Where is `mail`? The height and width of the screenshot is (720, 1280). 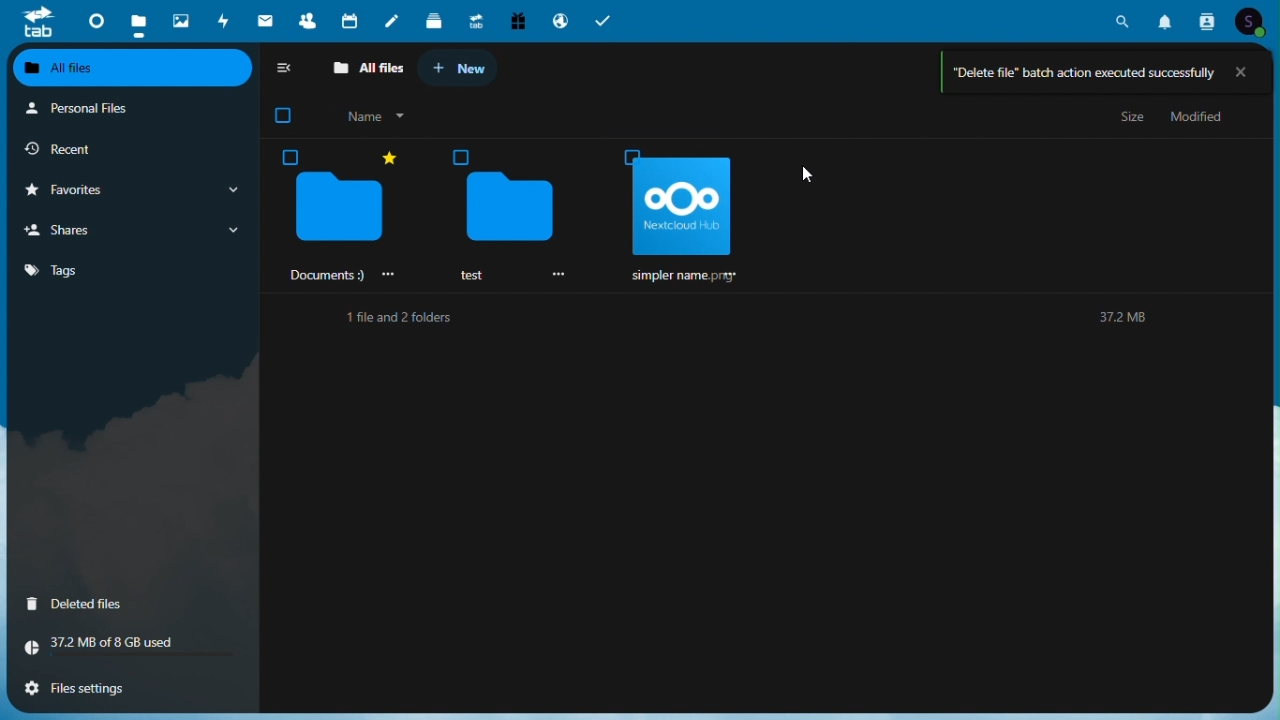
mail is located at coordinates (267, 19).